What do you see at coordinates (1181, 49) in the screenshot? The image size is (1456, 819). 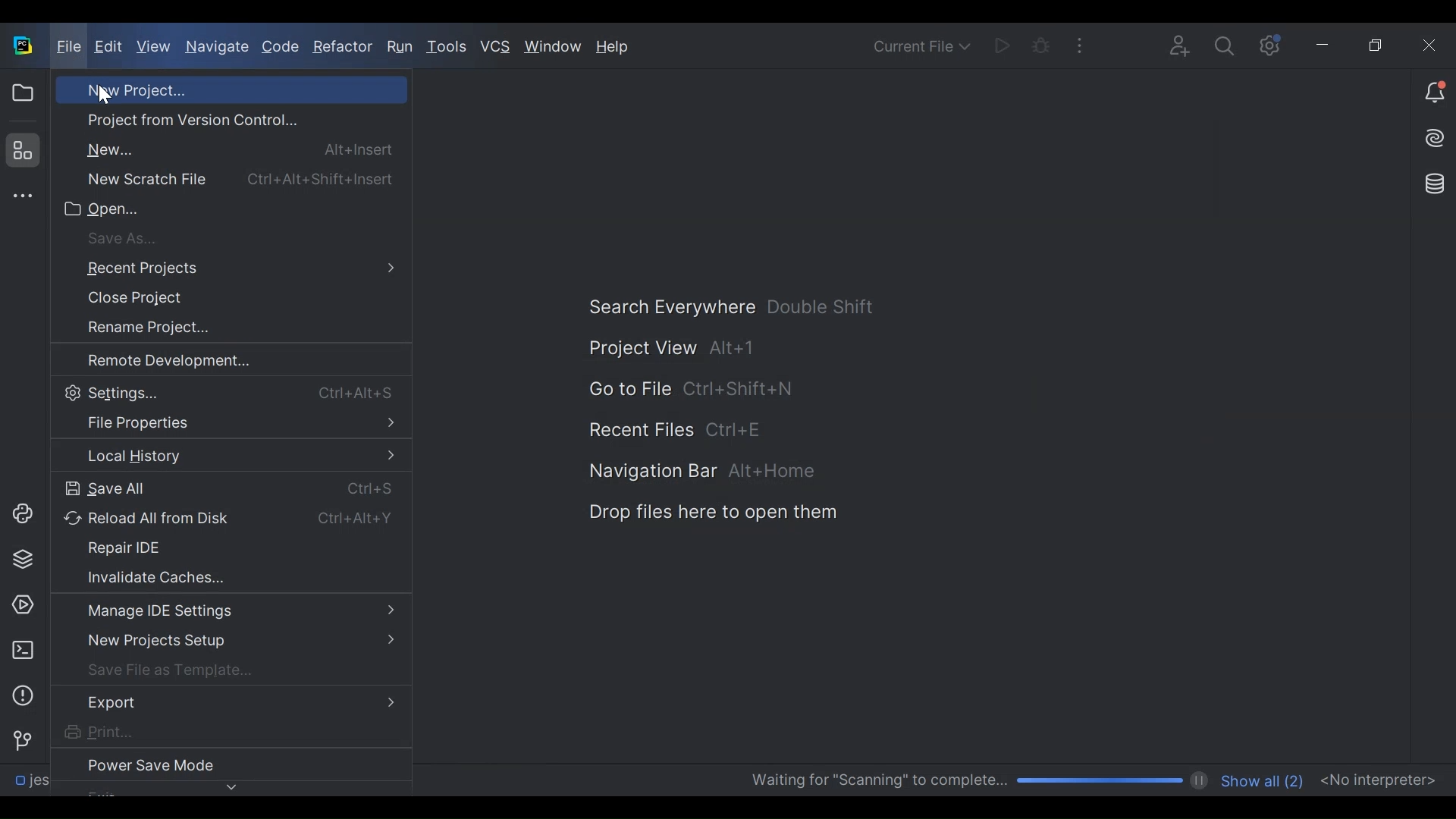 I see `Code with me` at bounding box center [1181, 49].